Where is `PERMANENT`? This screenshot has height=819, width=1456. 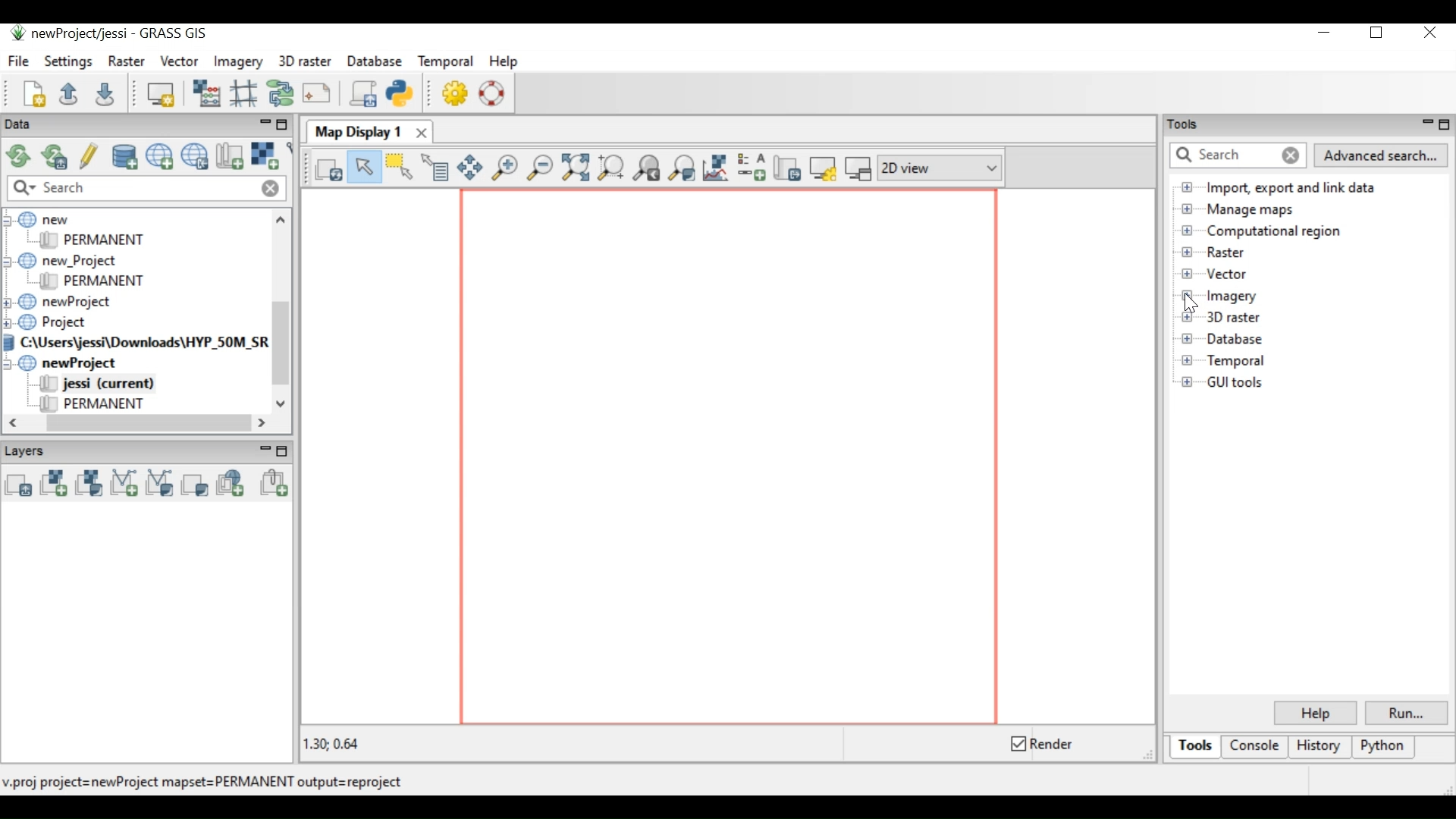 PERMANENT is located at coordinates (109, 278).